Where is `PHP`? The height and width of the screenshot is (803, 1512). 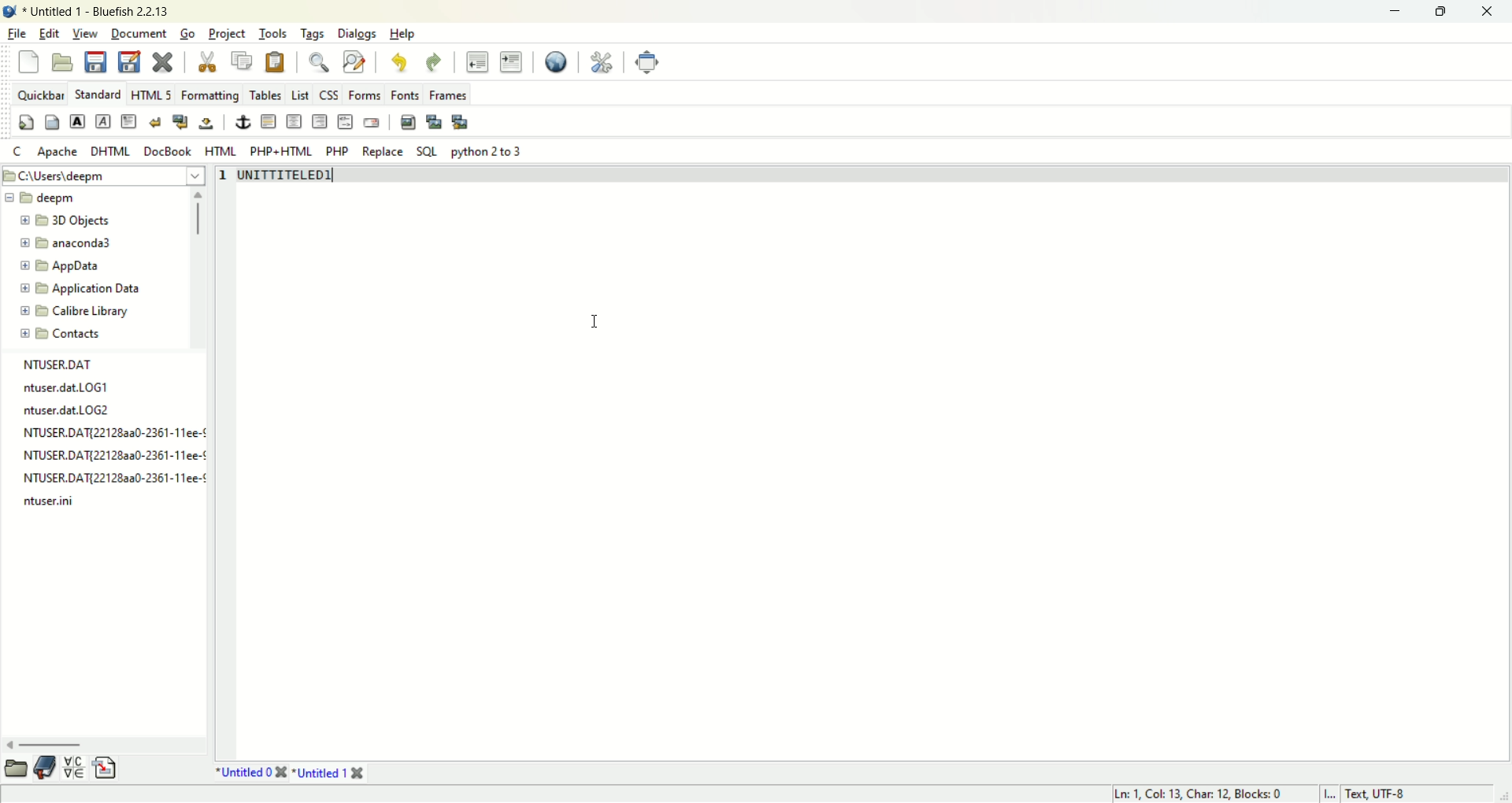 PHP is located at coordinates (336, 150).